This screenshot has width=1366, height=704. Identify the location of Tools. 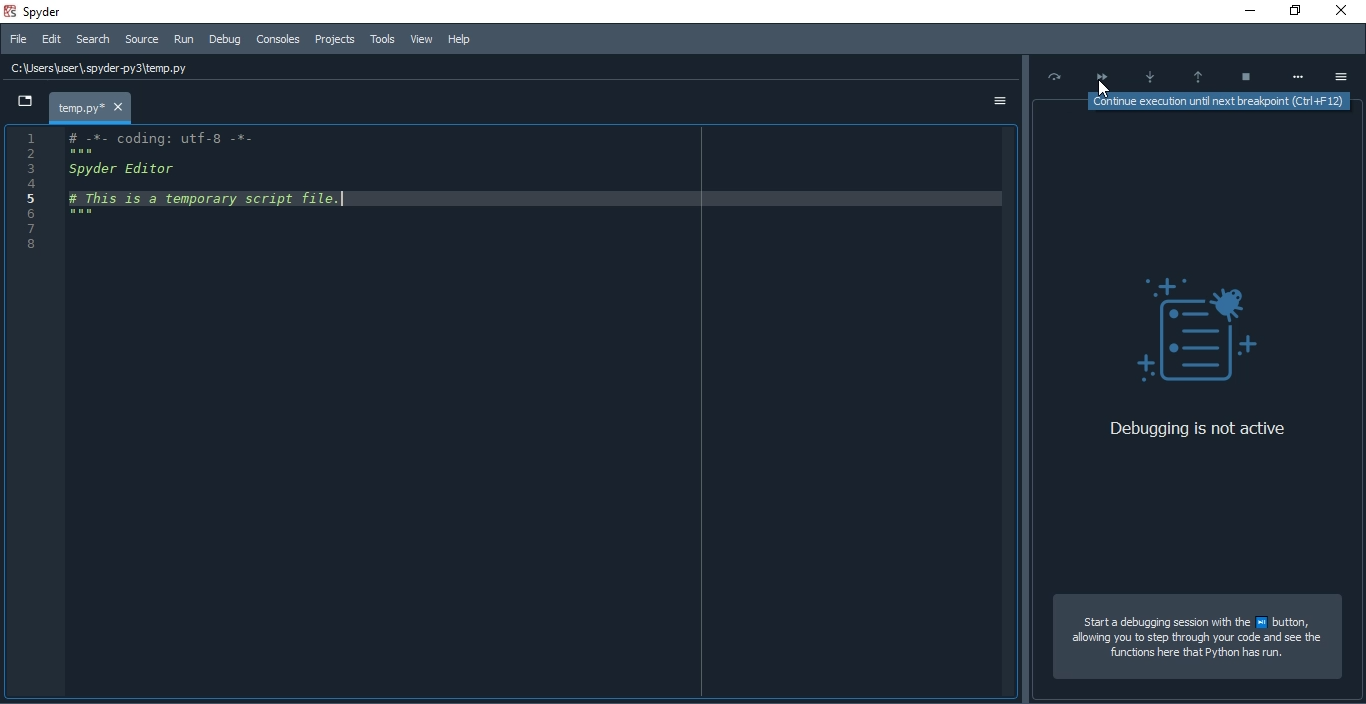
(380, 39).